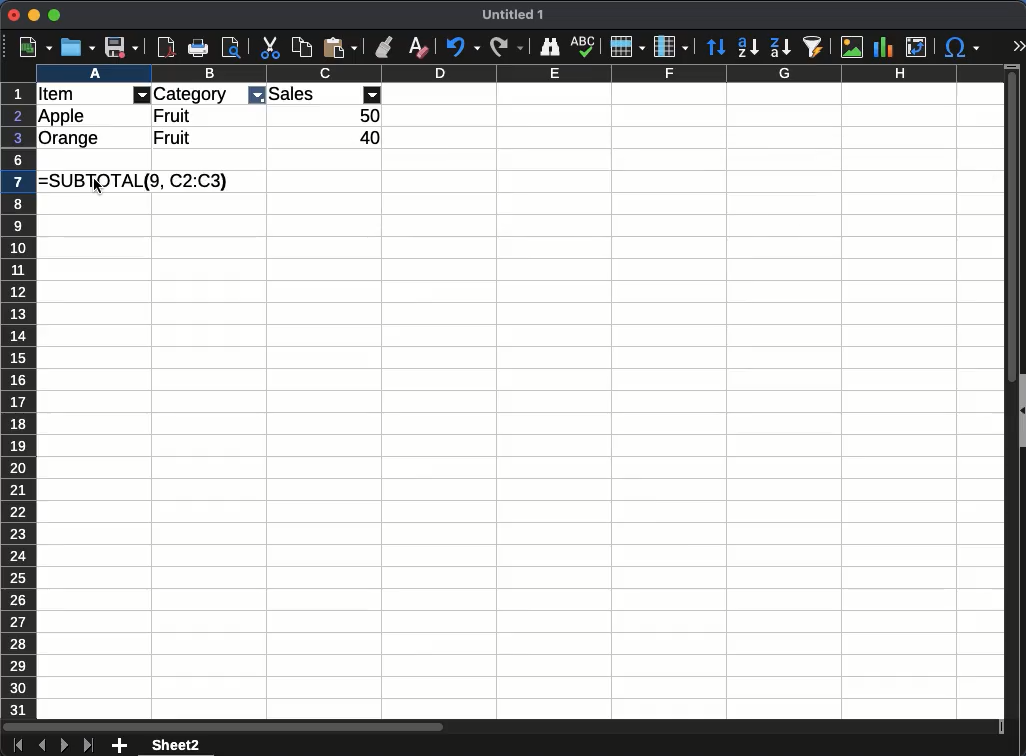 This screenshot has height=756, width=1026. I want to click on maximize, so click(53, 15).